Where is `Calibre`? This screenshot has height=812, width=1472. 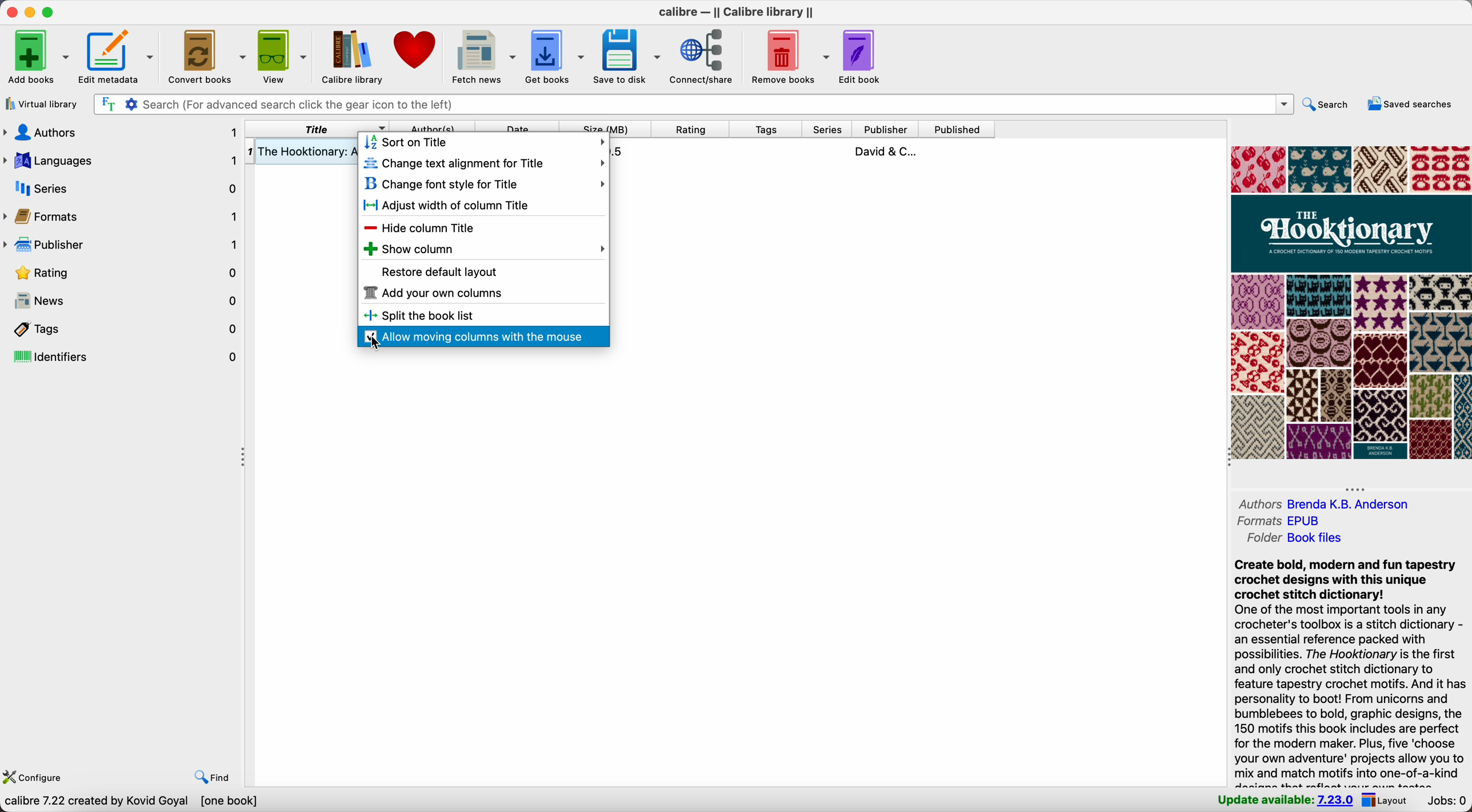
Calibre is located at coordinates (735, 10).